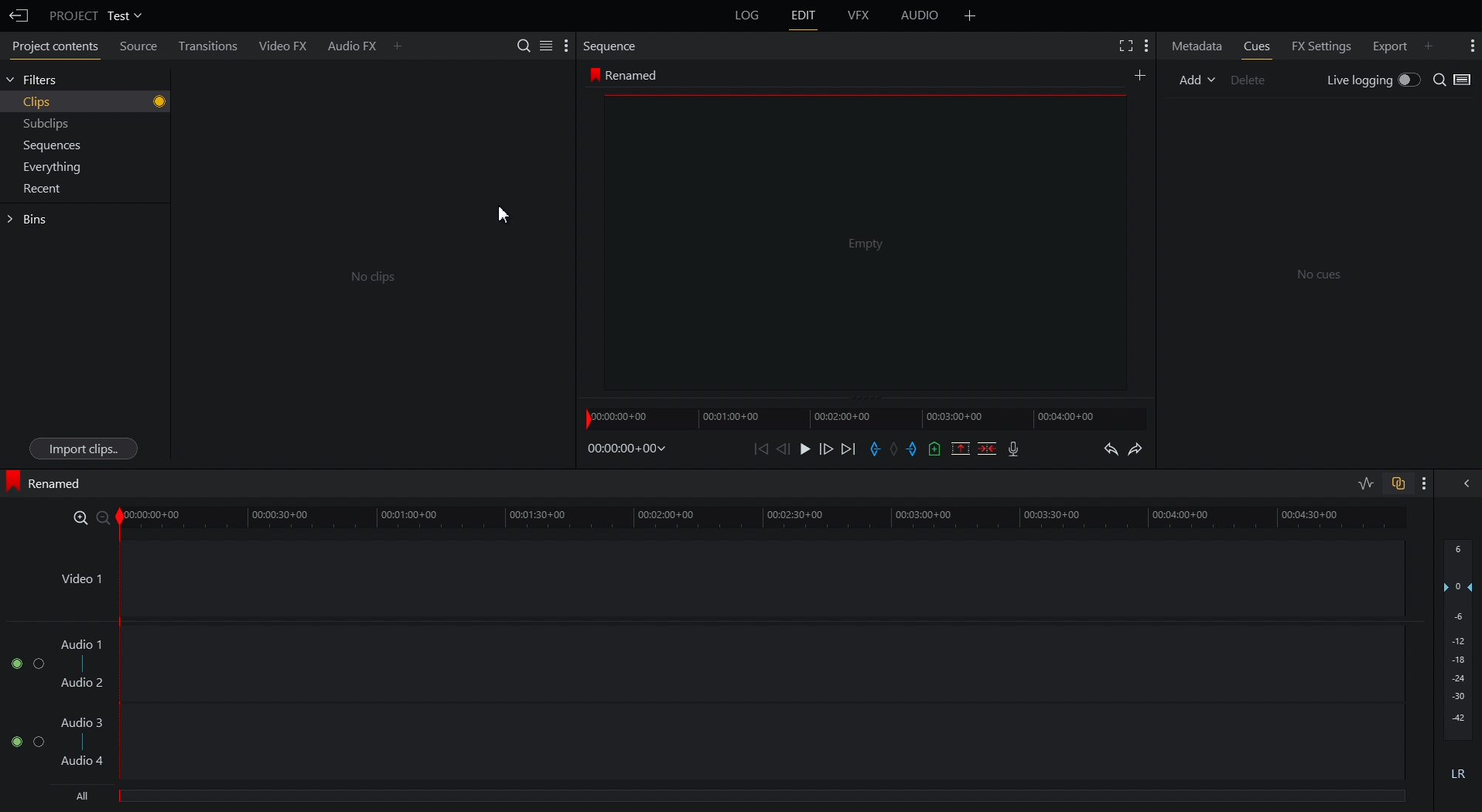  Describe the element at coordinates (612, 45) in the screenshot. I see `Sequence` at that location.